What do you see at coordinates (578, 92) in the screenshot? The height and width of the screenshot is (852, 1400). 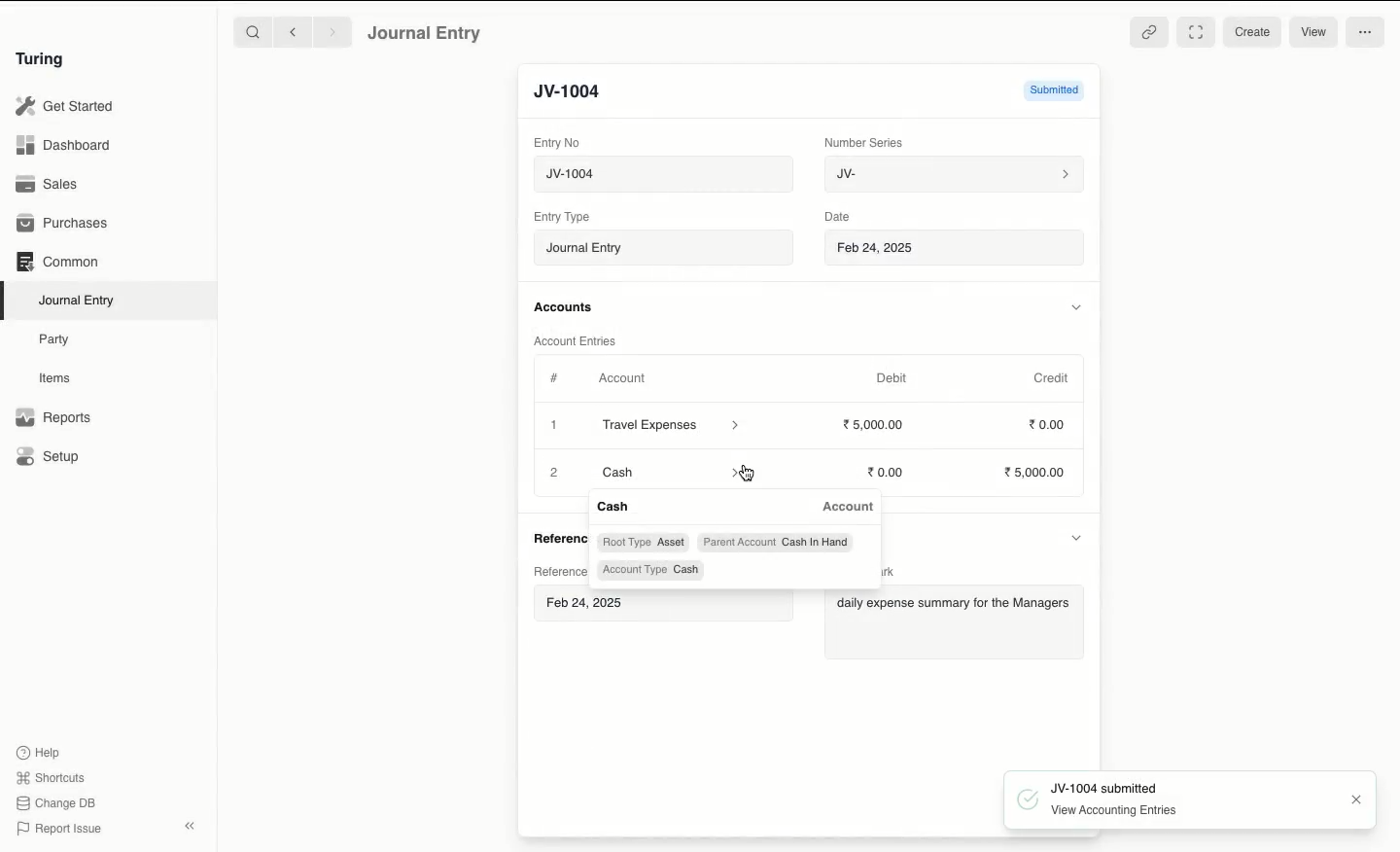 I see `New Entry` at bounding box center [578, 92].